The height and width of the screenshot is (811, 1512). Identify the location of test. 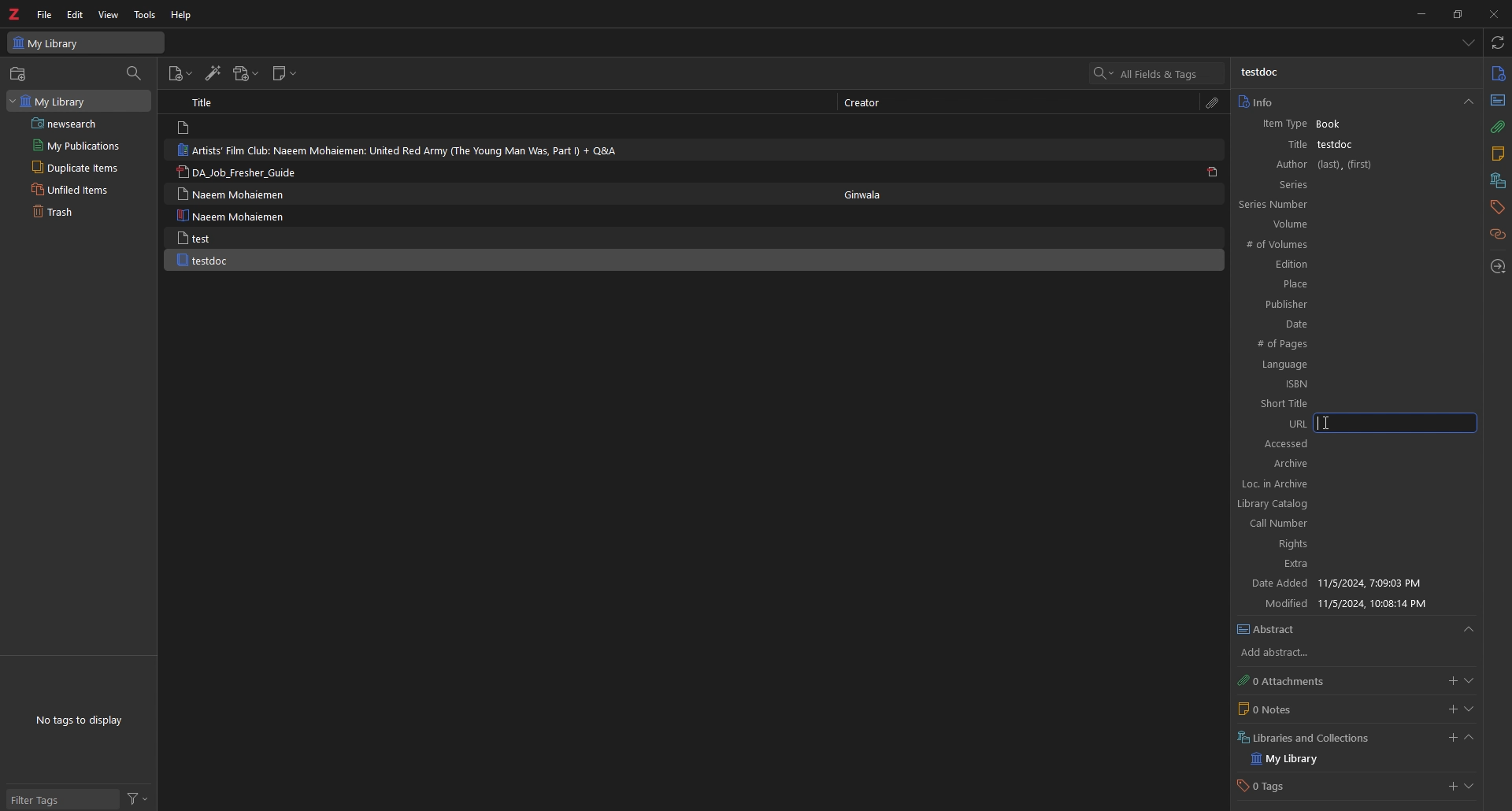
(198, 238).